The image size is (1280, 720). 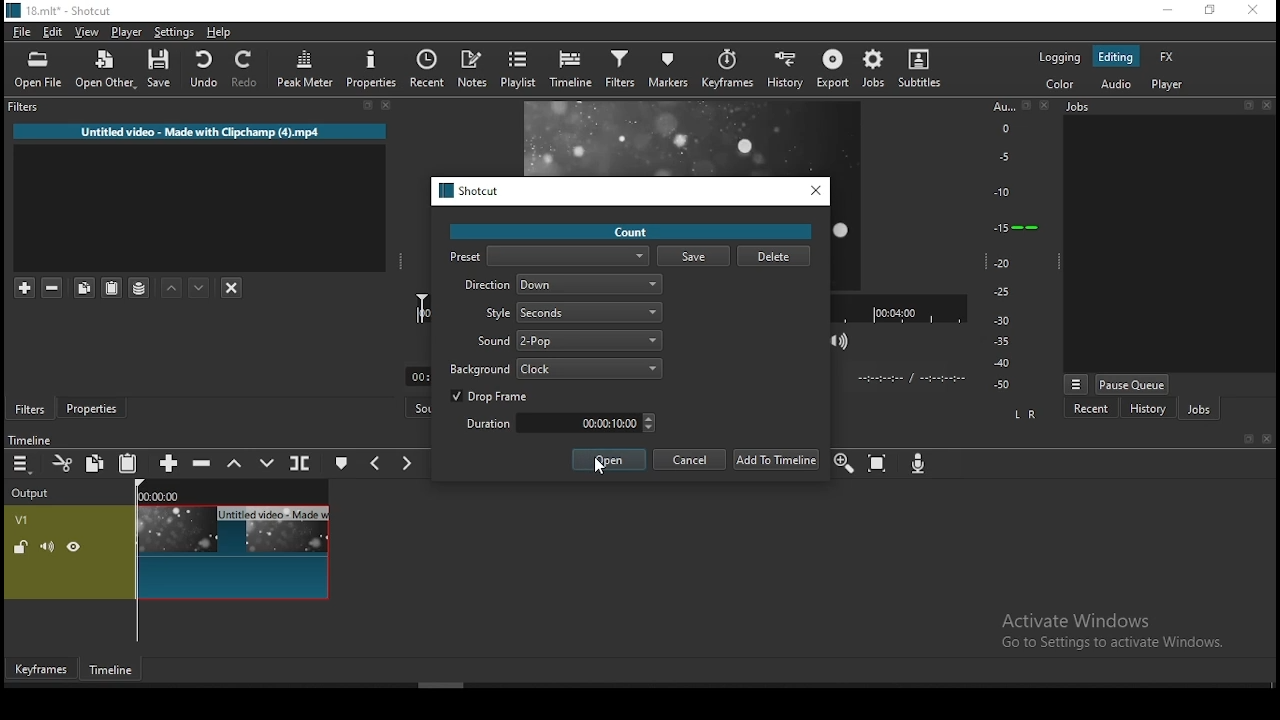 What do you see at coordinates (1247, 439) in the screenshot?
I see `bookmark` at bounding box center [1247, 439].